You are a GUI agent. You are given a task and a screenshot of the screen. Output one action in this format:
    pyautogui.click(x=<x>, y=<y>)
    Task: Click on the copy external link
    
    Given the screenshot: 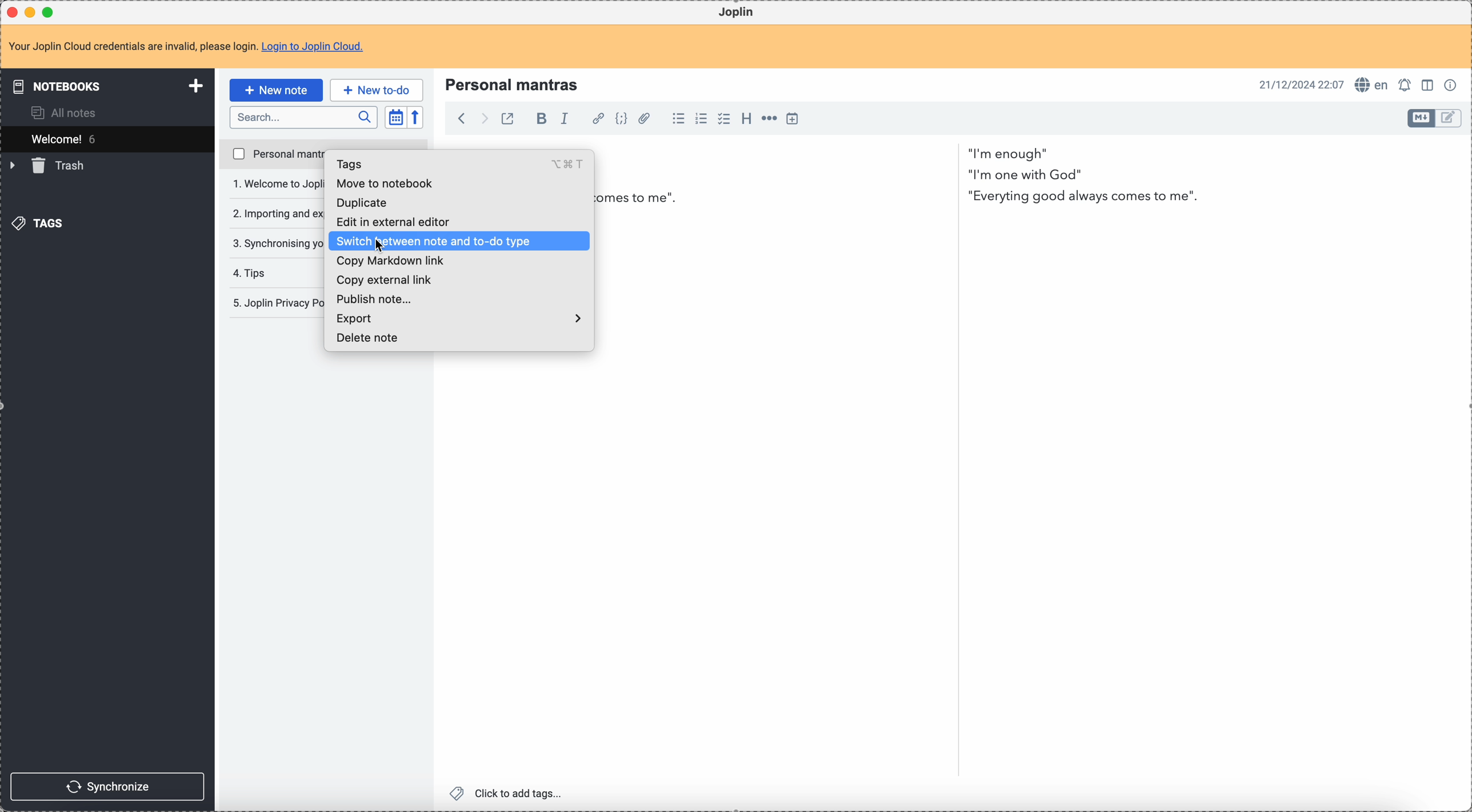 What is the action you would take?
    pyautogui.click(x=384, y=281)
    